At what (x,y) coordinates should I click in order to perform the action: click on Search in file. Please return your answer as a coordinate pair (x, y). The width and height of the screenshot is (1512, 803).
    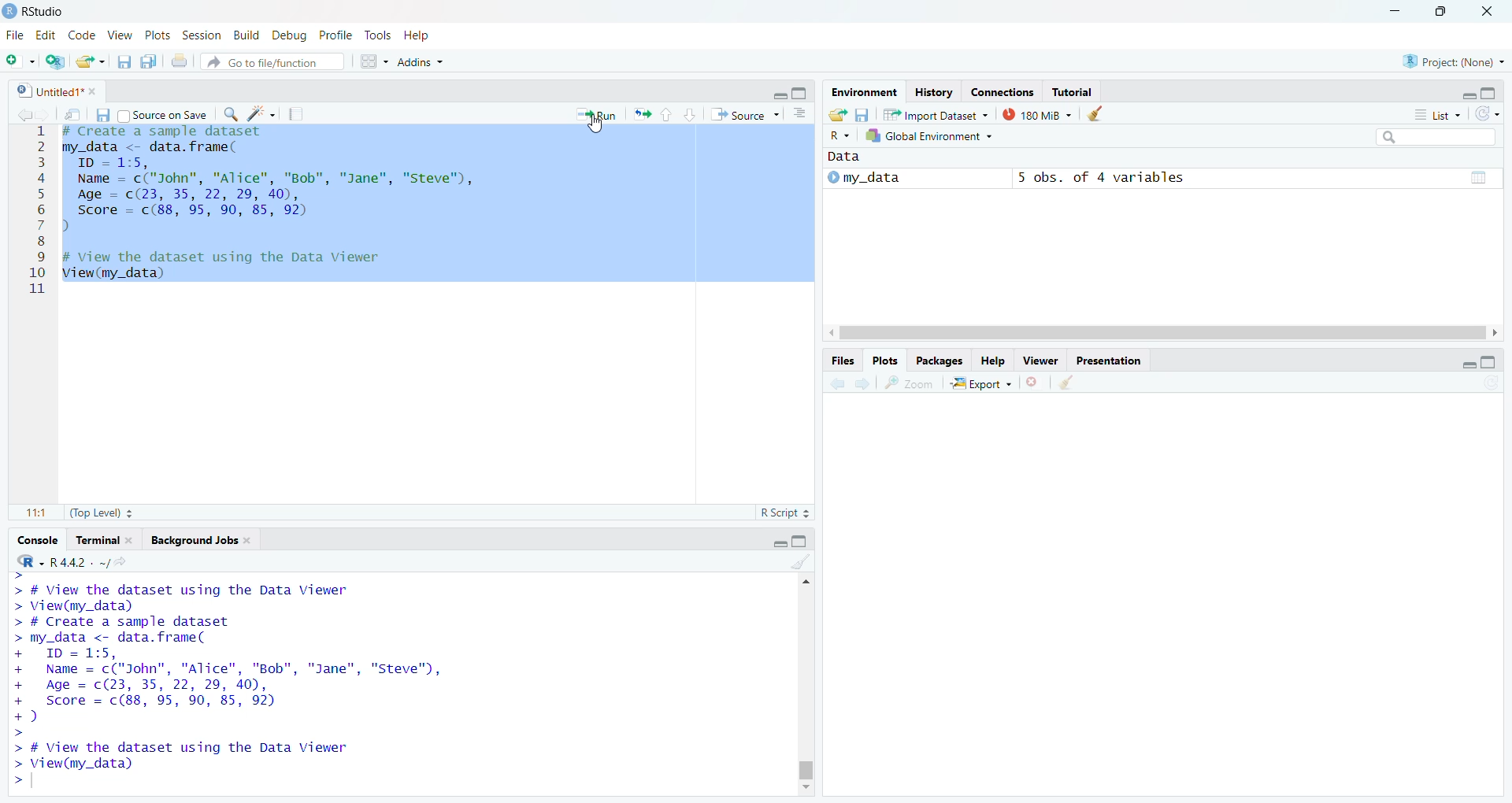
    Looking at the image, I should click on (72, 113).